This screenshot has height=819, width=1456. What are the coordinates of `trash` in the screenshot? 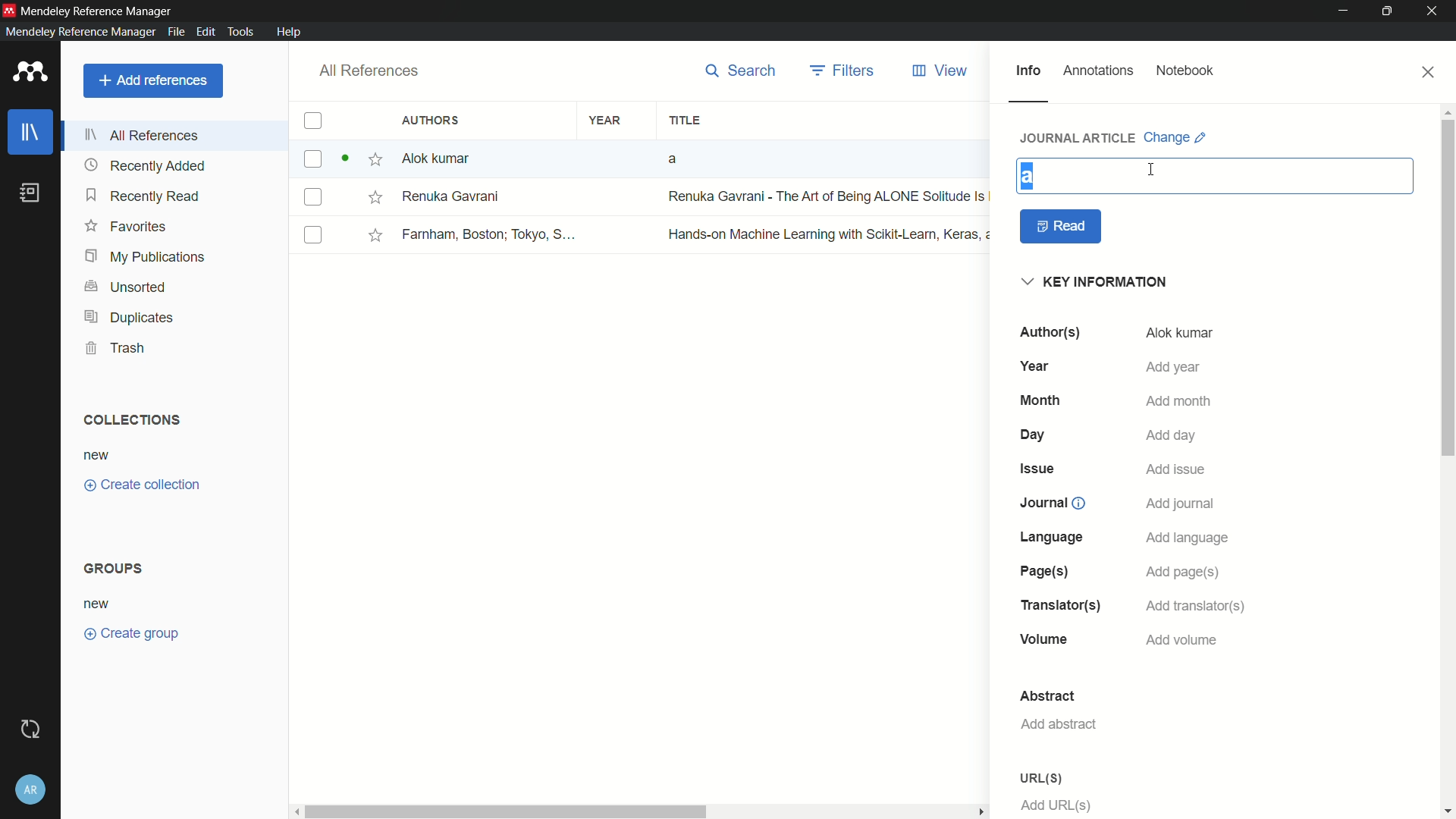 It's located at (117, 347).